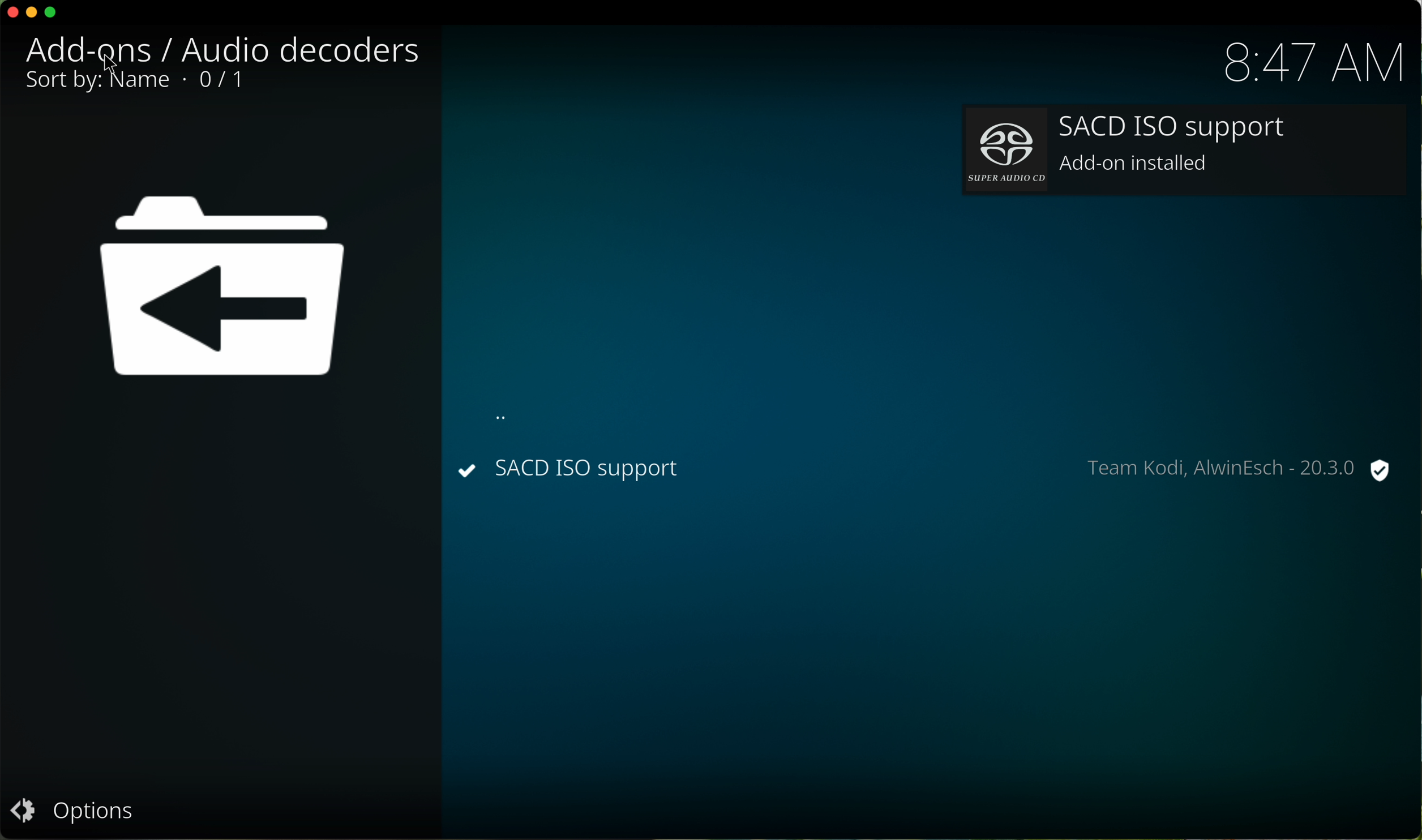  What do you see at coordinates (89, 52) in the screenshot?
I see `click on add-ons` at bounding box center [89, 52].